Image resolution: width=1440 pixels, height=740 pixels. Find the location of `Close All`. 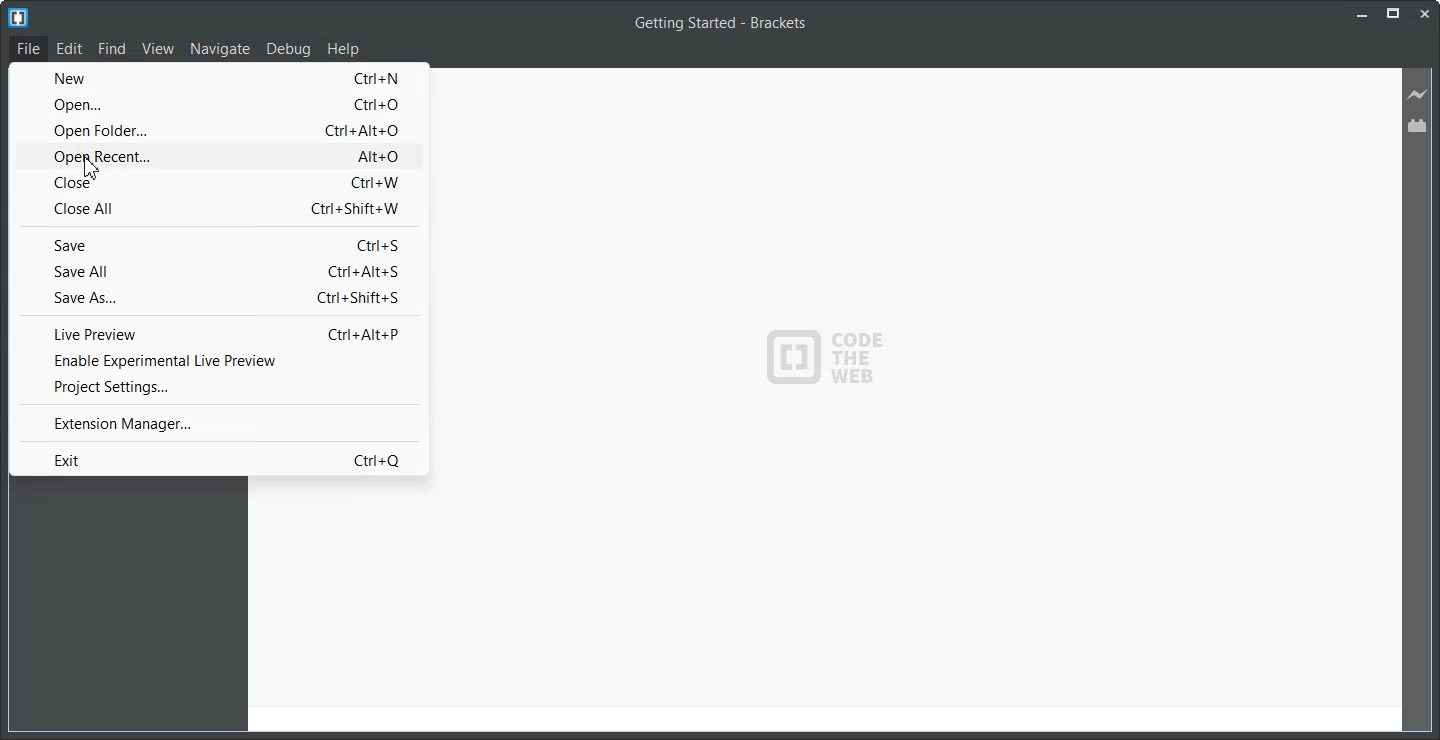

Close All is located at coordinates (216, 209).